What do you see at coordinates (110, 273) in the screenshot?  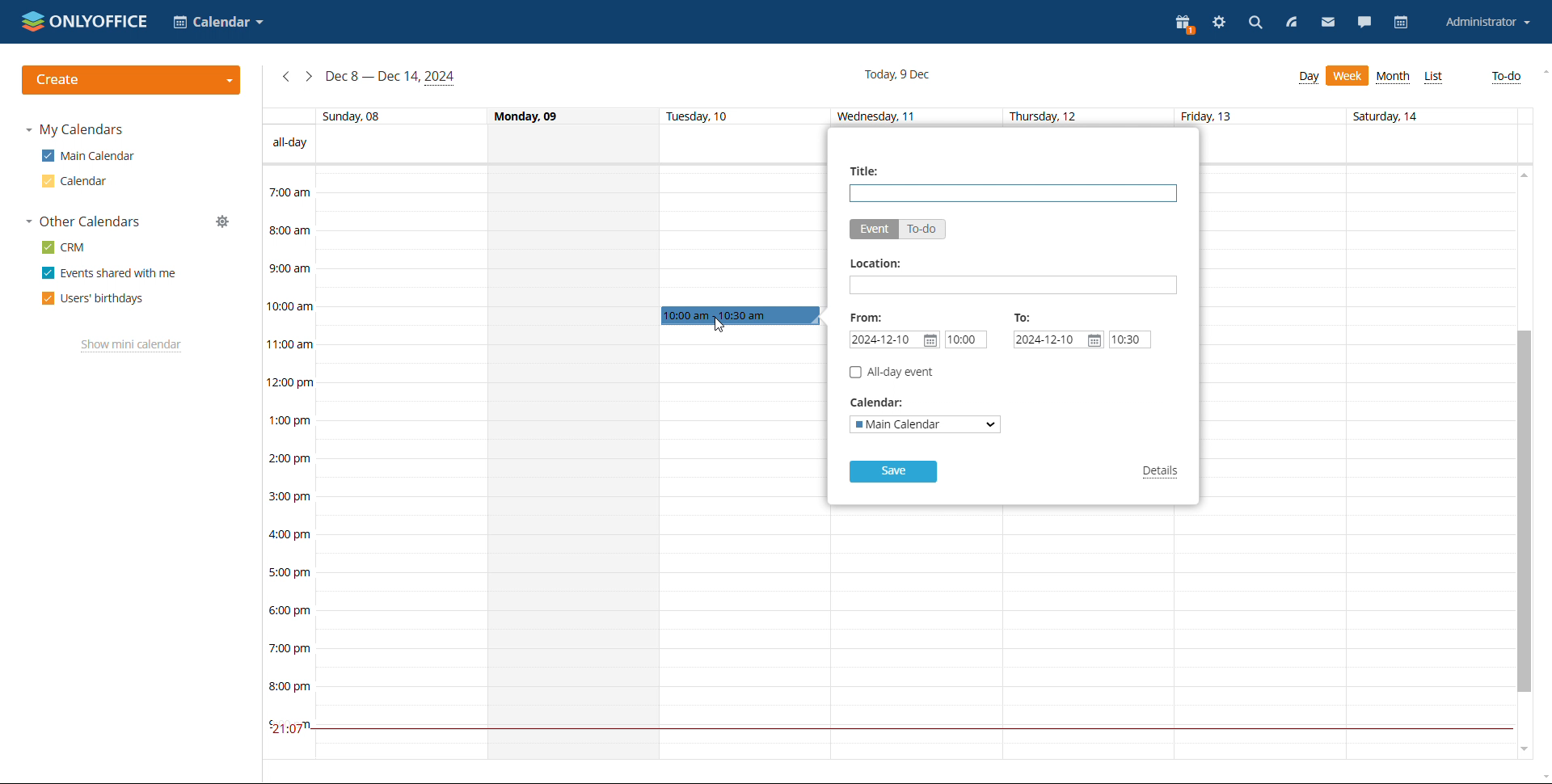 I see `events shared with me` at bounding box center [110, 273].